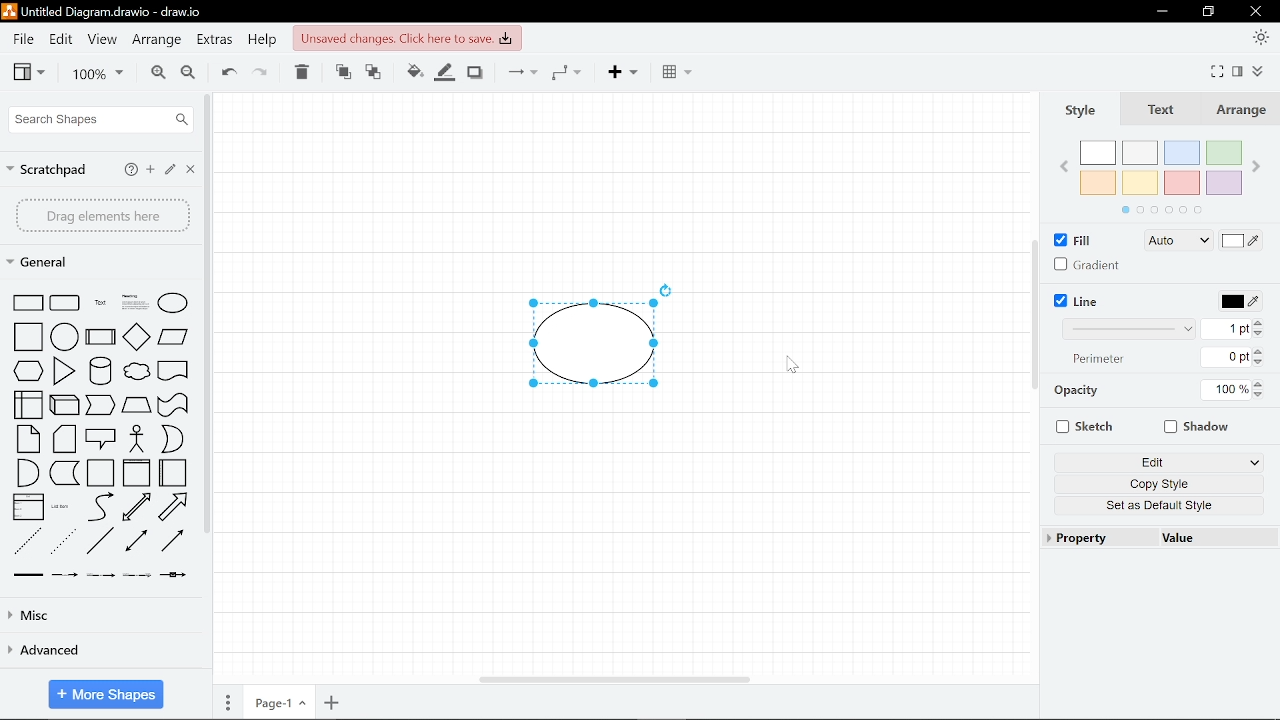  I want to click on list, so click(28, 507).